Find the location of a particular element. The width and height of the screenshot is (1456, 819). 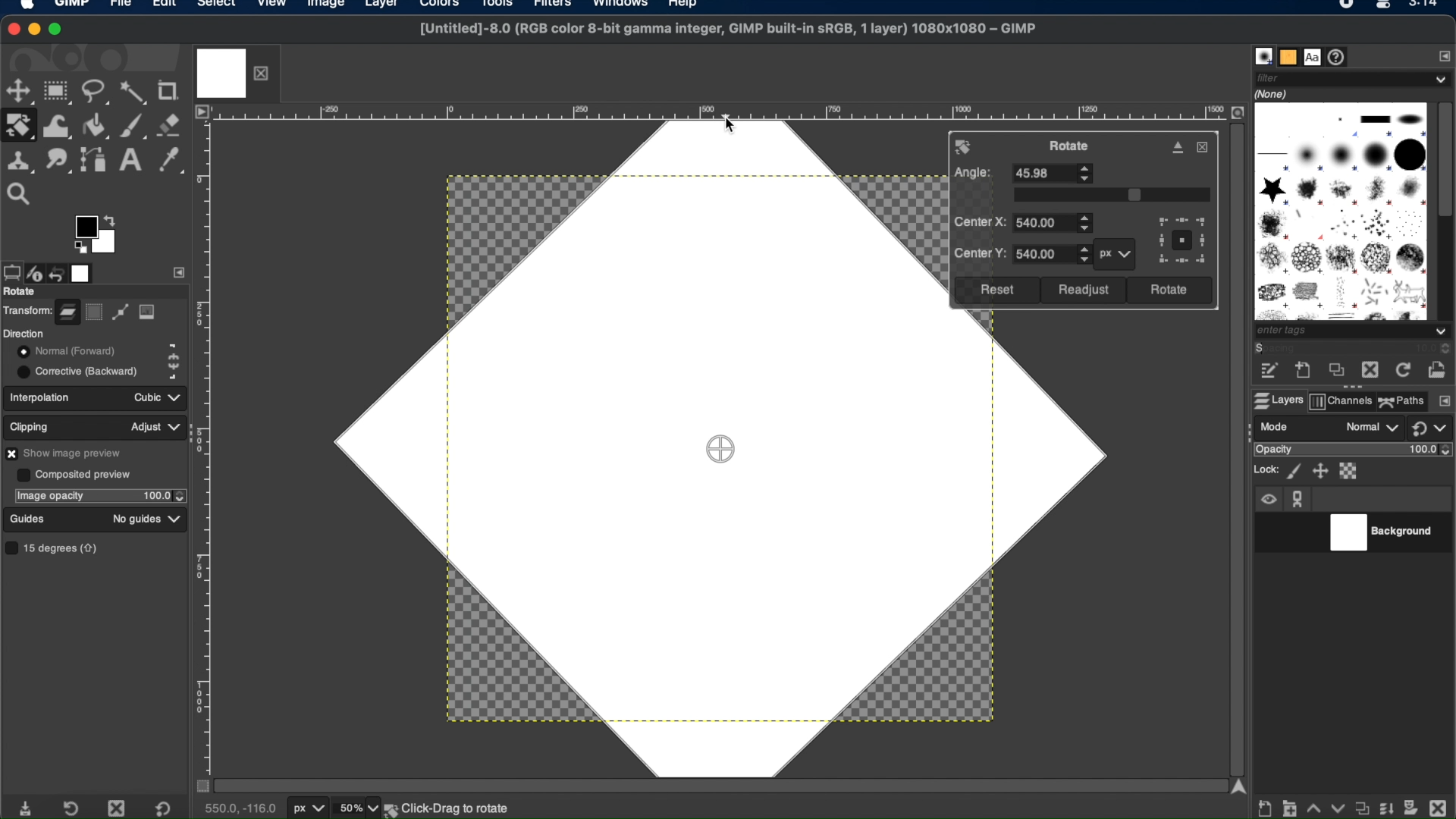

lower this layer is located at coordinates (1337, 808).